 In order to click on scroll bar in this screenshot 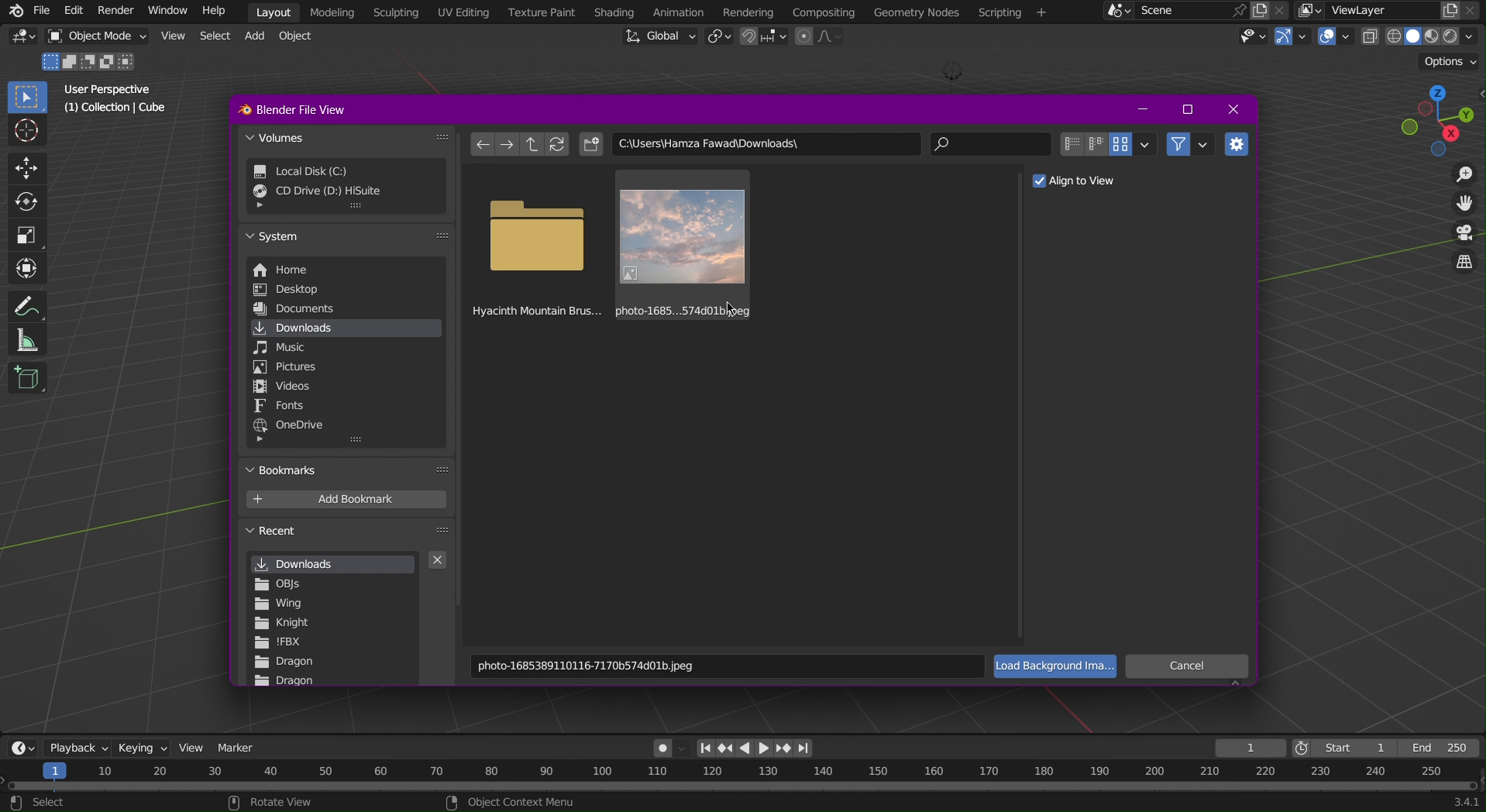, I will do `click(458, 299)`.